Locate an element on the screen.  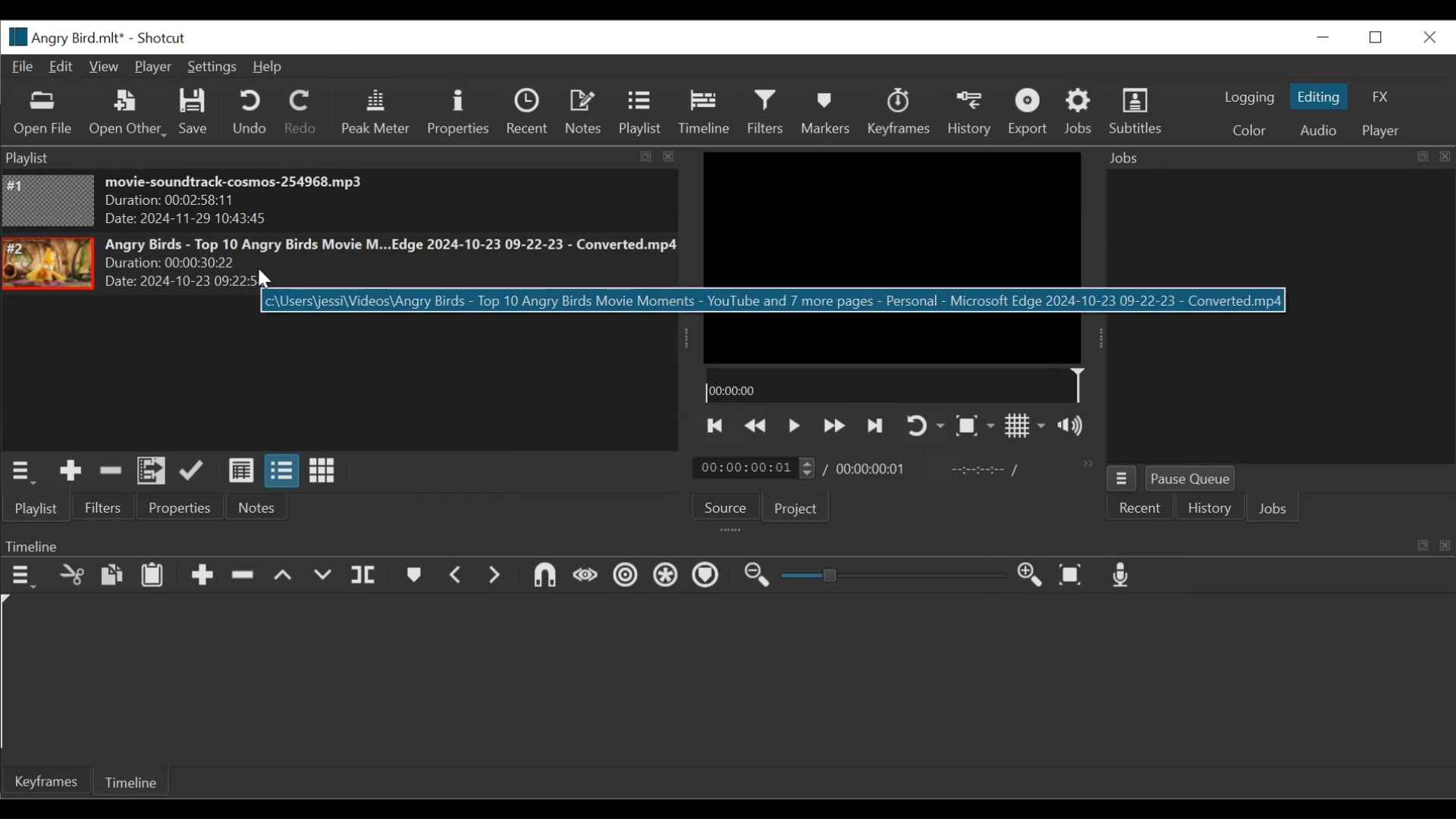
Previous marker is located at coordinates (456, 574).